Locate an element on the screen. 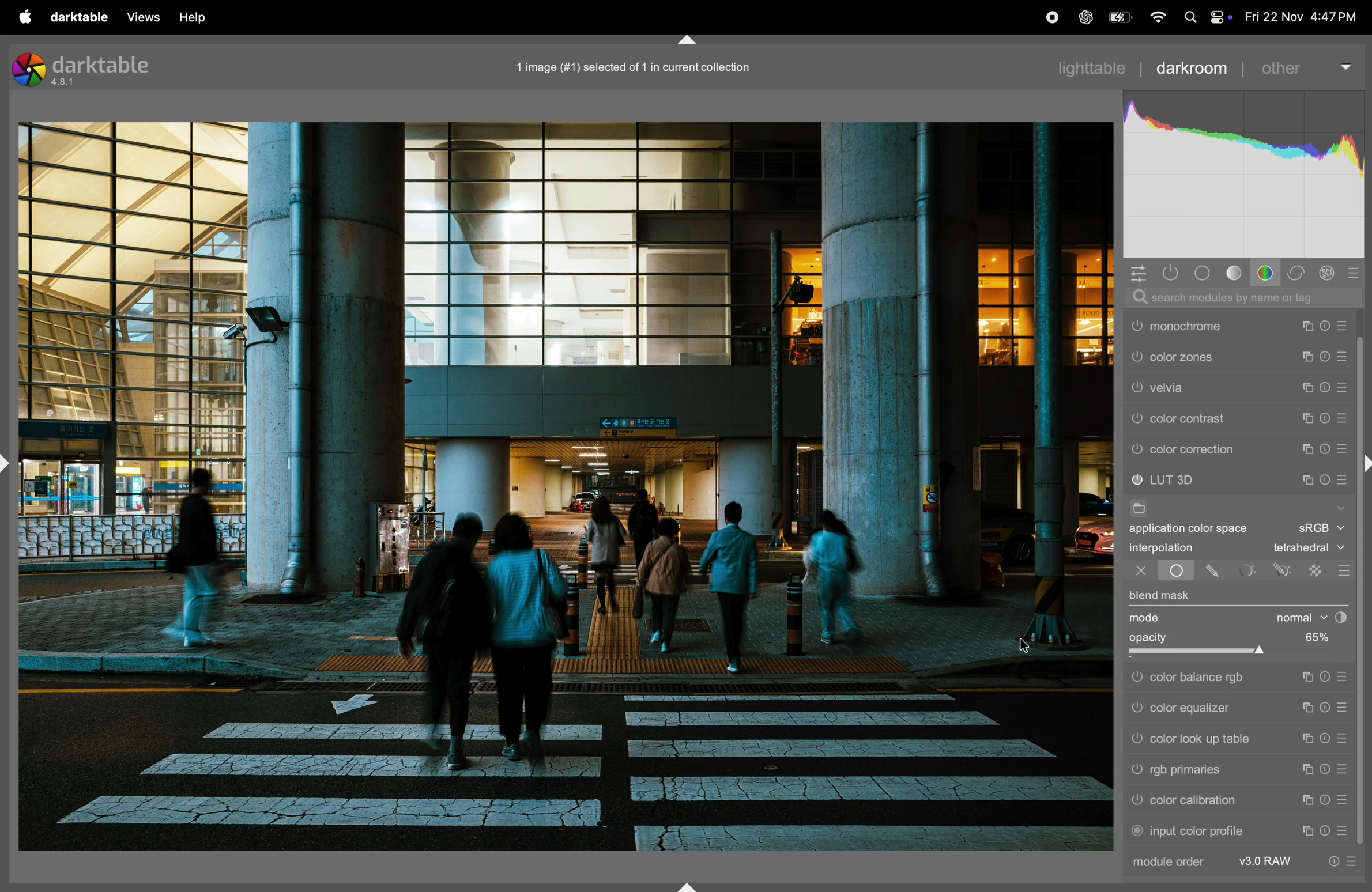  reset is located at coordinates (1328, 678).